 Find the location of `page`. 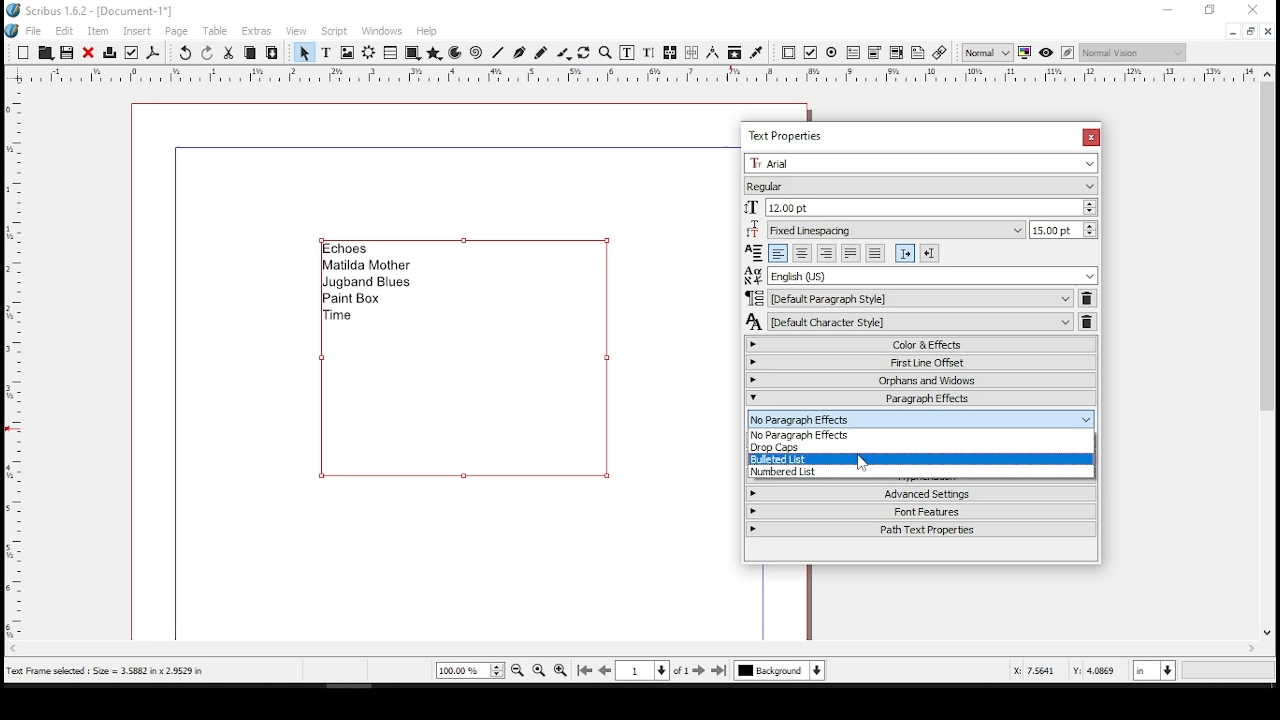

page is located at coordinates (178, 31).